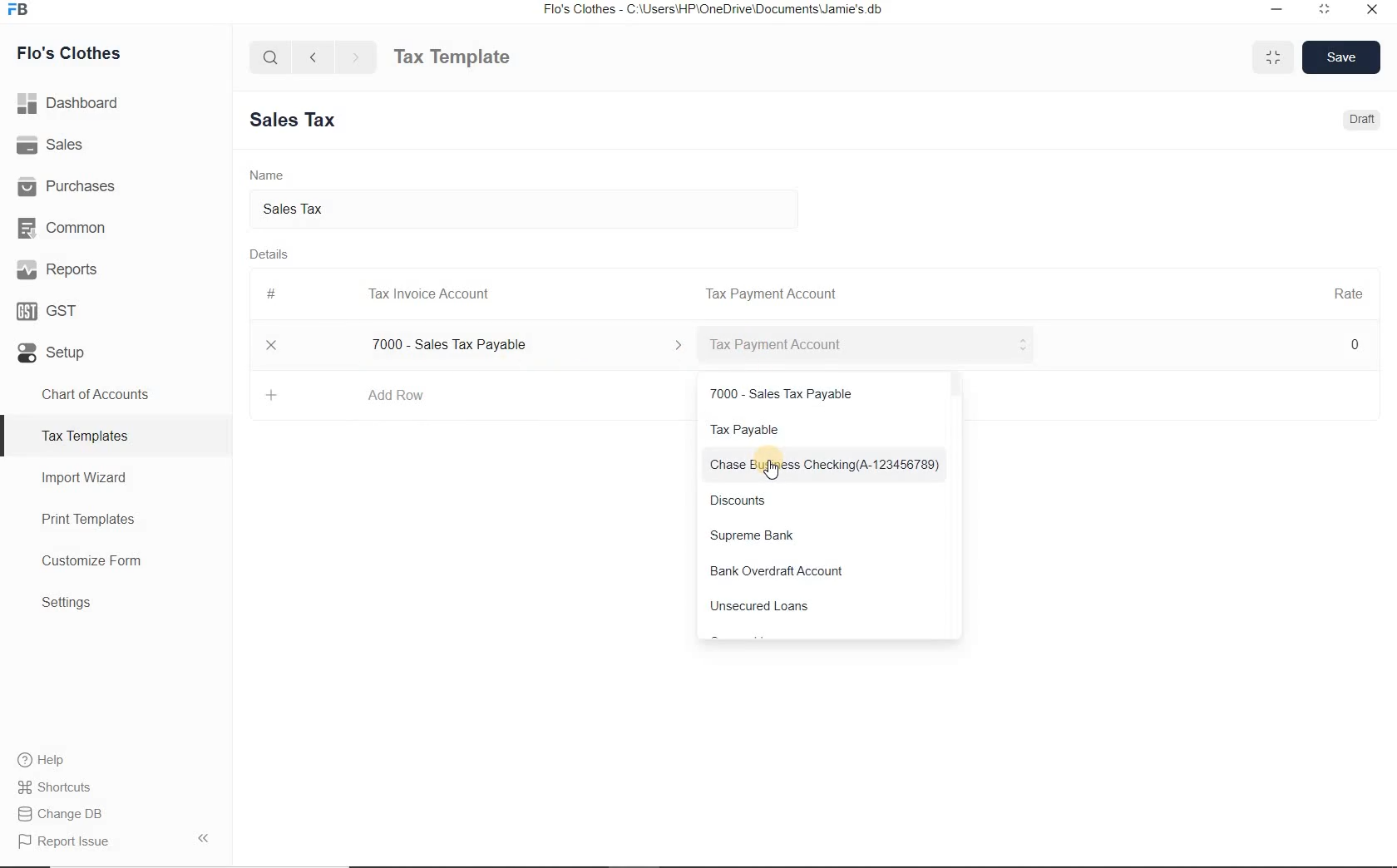 This screenshot has height=868, width=1397. Describe the element at coordinates (116, 184) in the screenshot. I see `Purchases` at that location.